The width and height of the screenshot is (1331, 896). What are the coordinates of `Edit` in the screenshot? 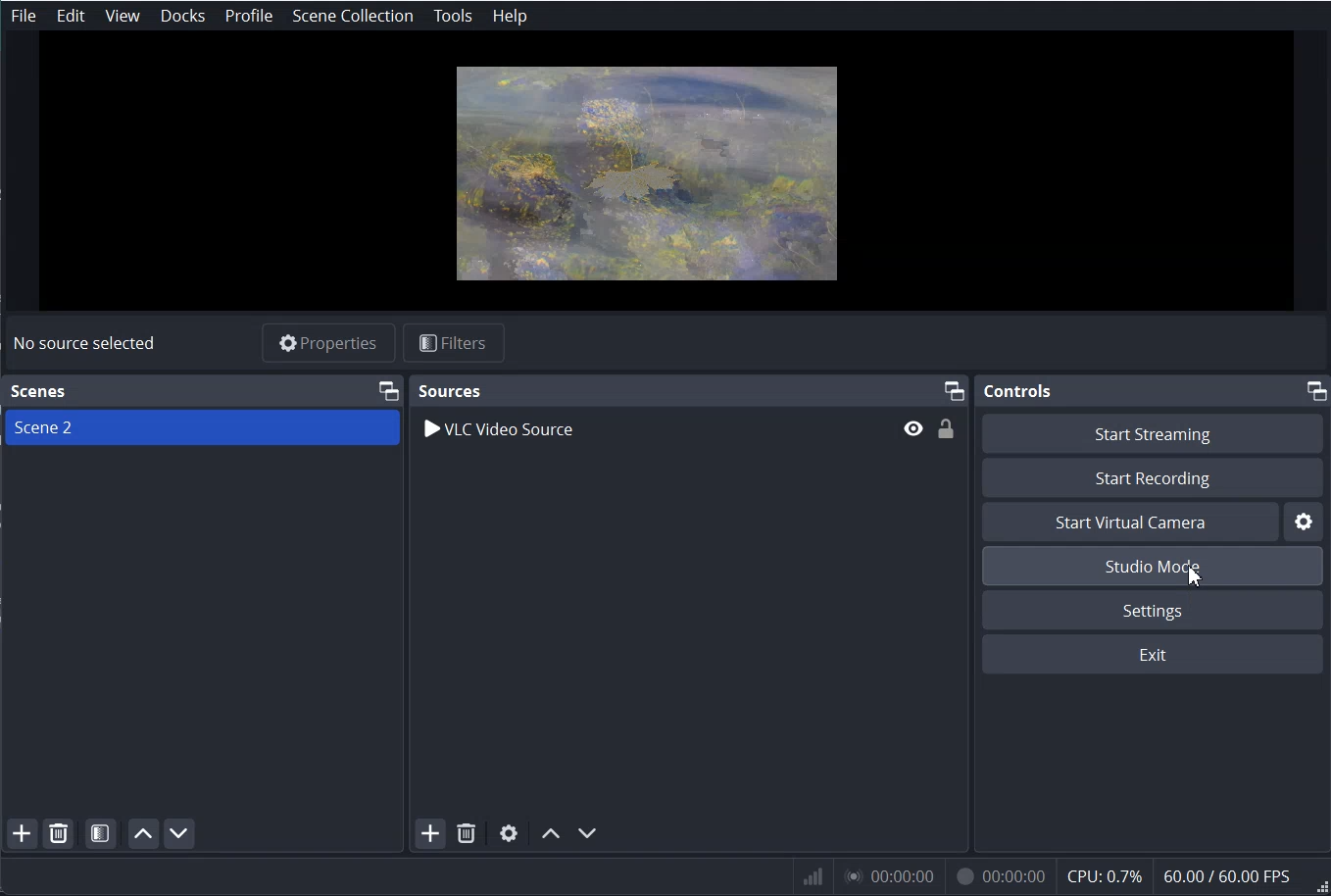 It's located at (72, 16).